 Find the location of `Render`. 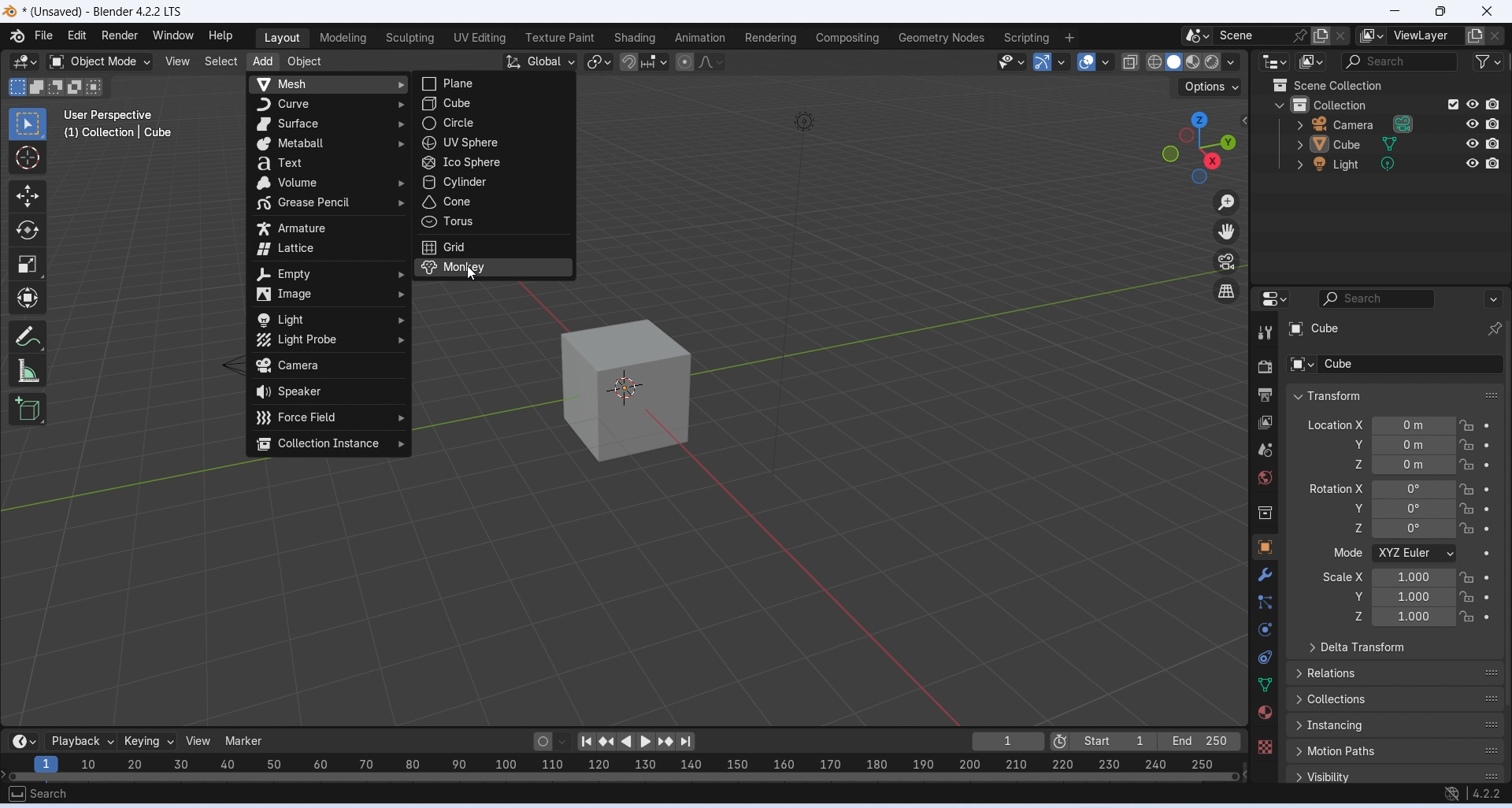

Render is located at coordinates (119, 35).